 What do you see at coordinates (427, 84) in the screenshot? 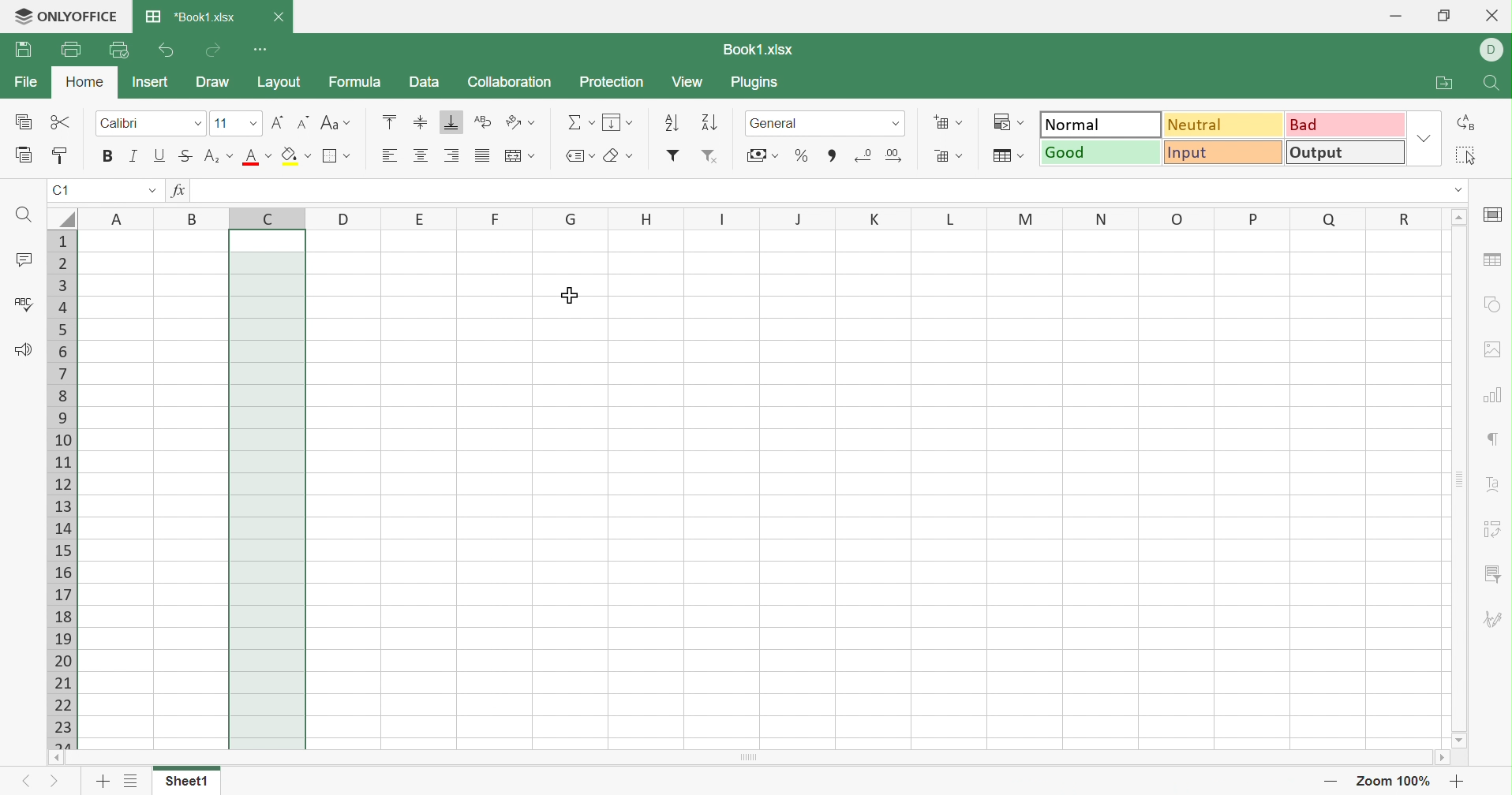
I see `Data` at bounding box center [427, 84].